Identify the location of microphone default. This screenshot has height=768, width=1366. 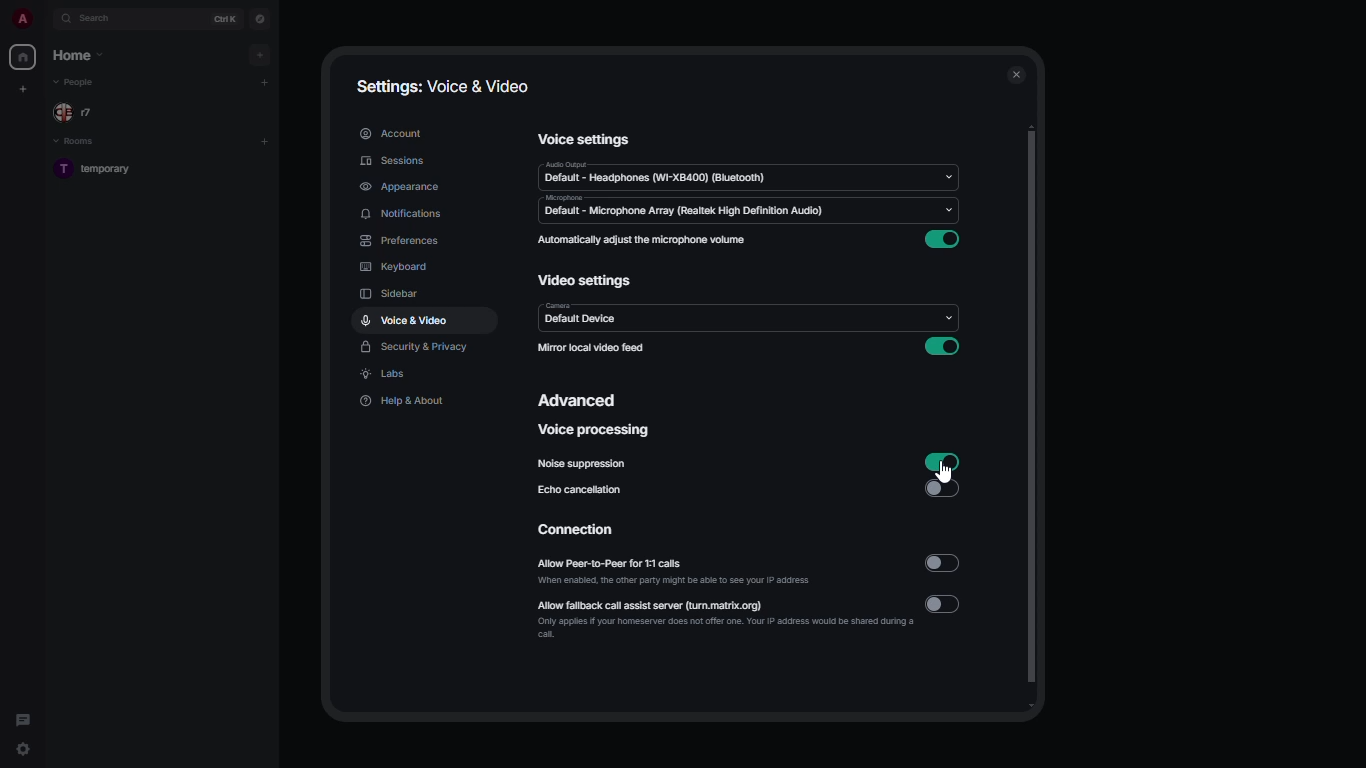
(683, 207).